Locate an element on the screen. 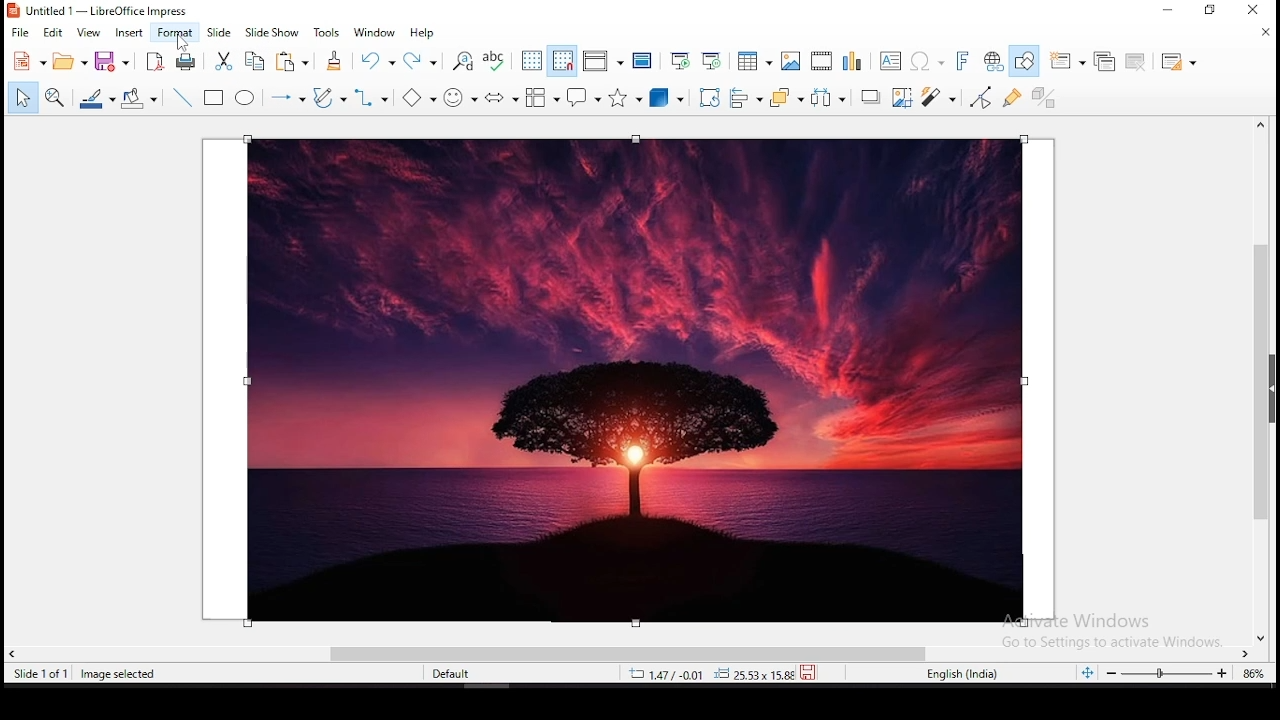  delete slide is located at coordinates (1136, 61).